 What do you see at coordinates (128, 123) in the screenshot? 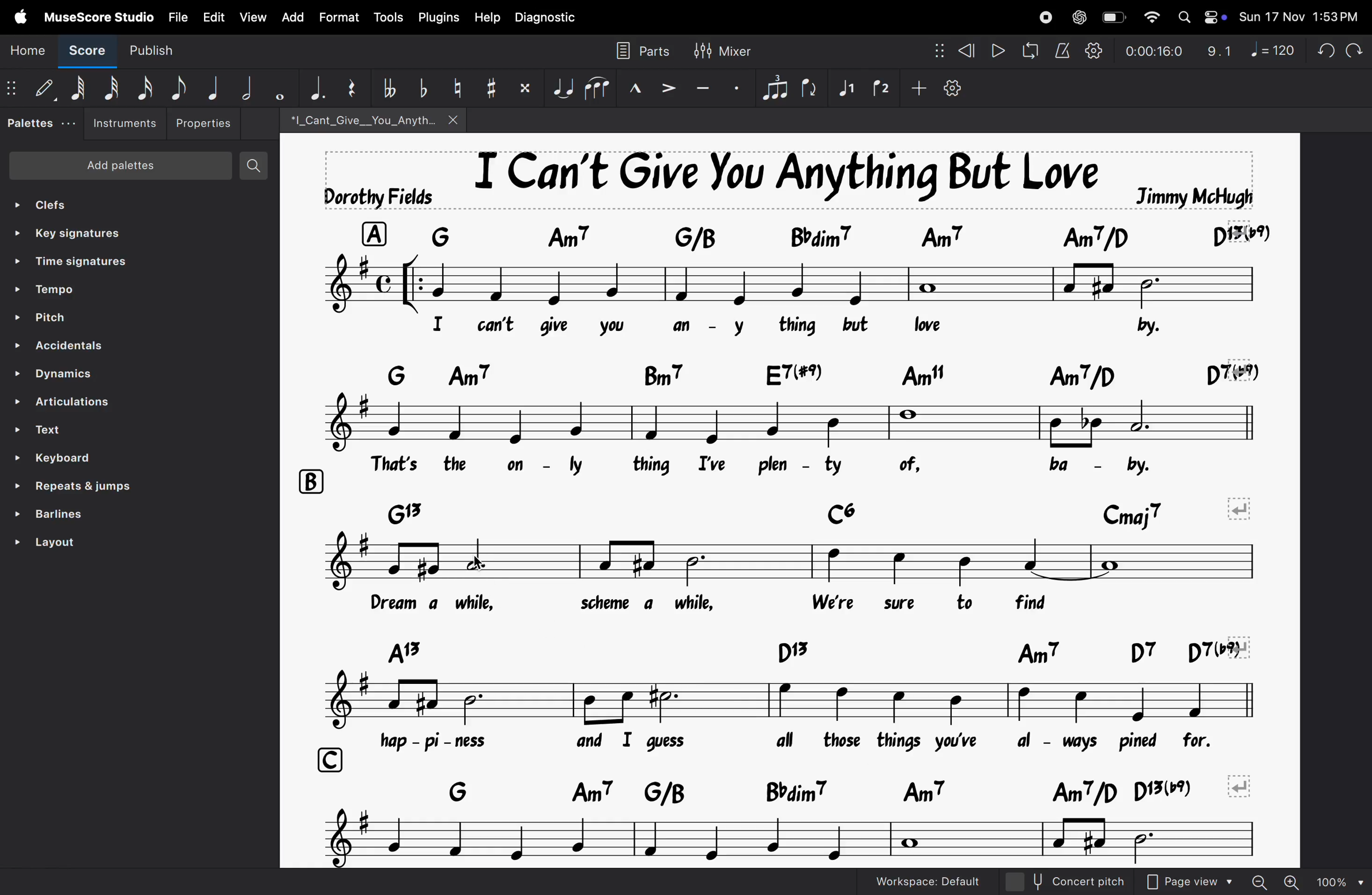
I see `instruements` at bounding box center [128, 123].